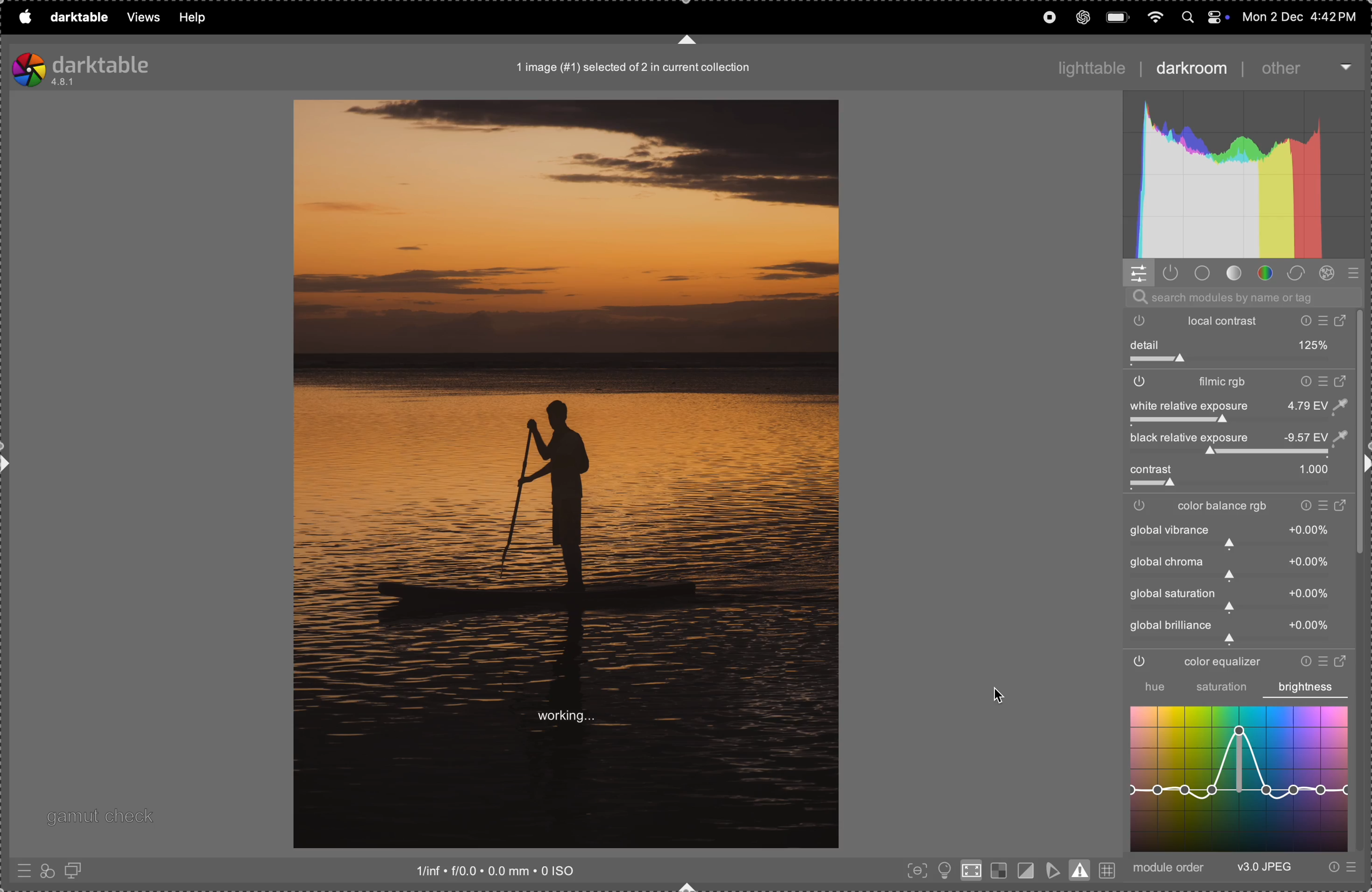  I want to click on searchbar, so click(1241, 297).